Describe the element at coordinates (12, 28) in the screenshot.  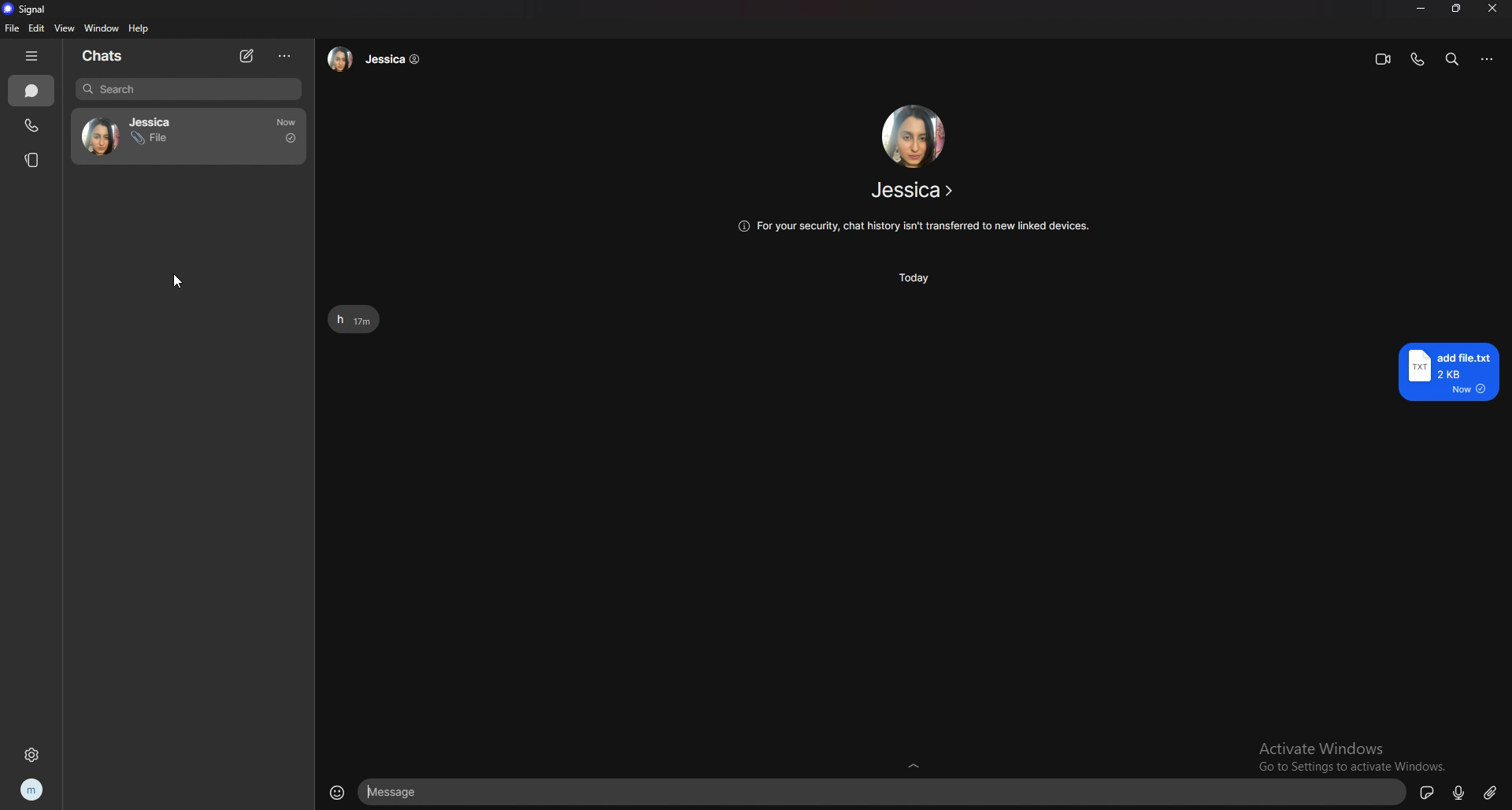
I see `file` at that location.